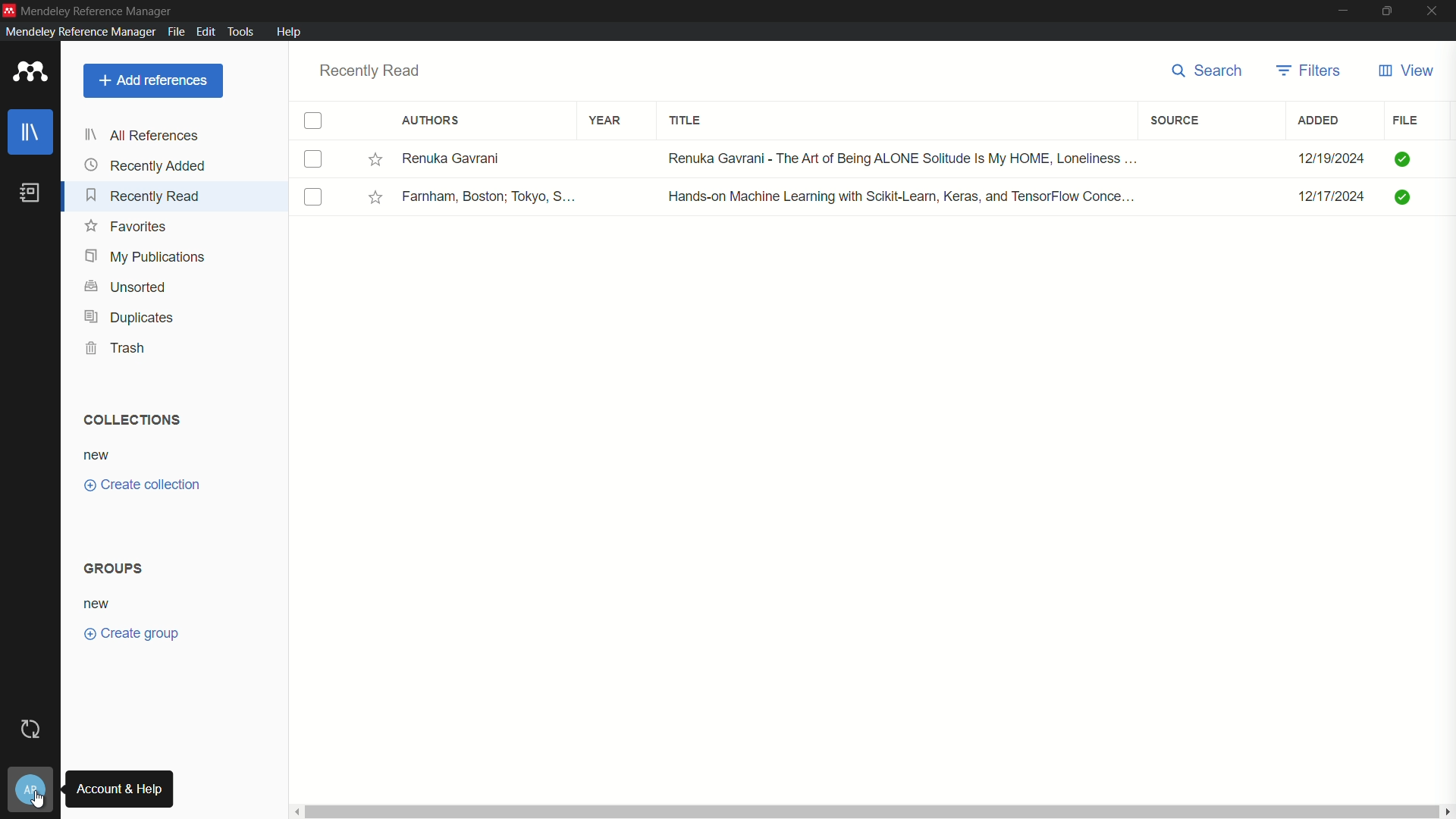 Image resolution: width=1456 pixels, height=819 pixels. Describe the element at coordinates (1332, 196) in the screenshot. I see `12/17/2024` at that location.